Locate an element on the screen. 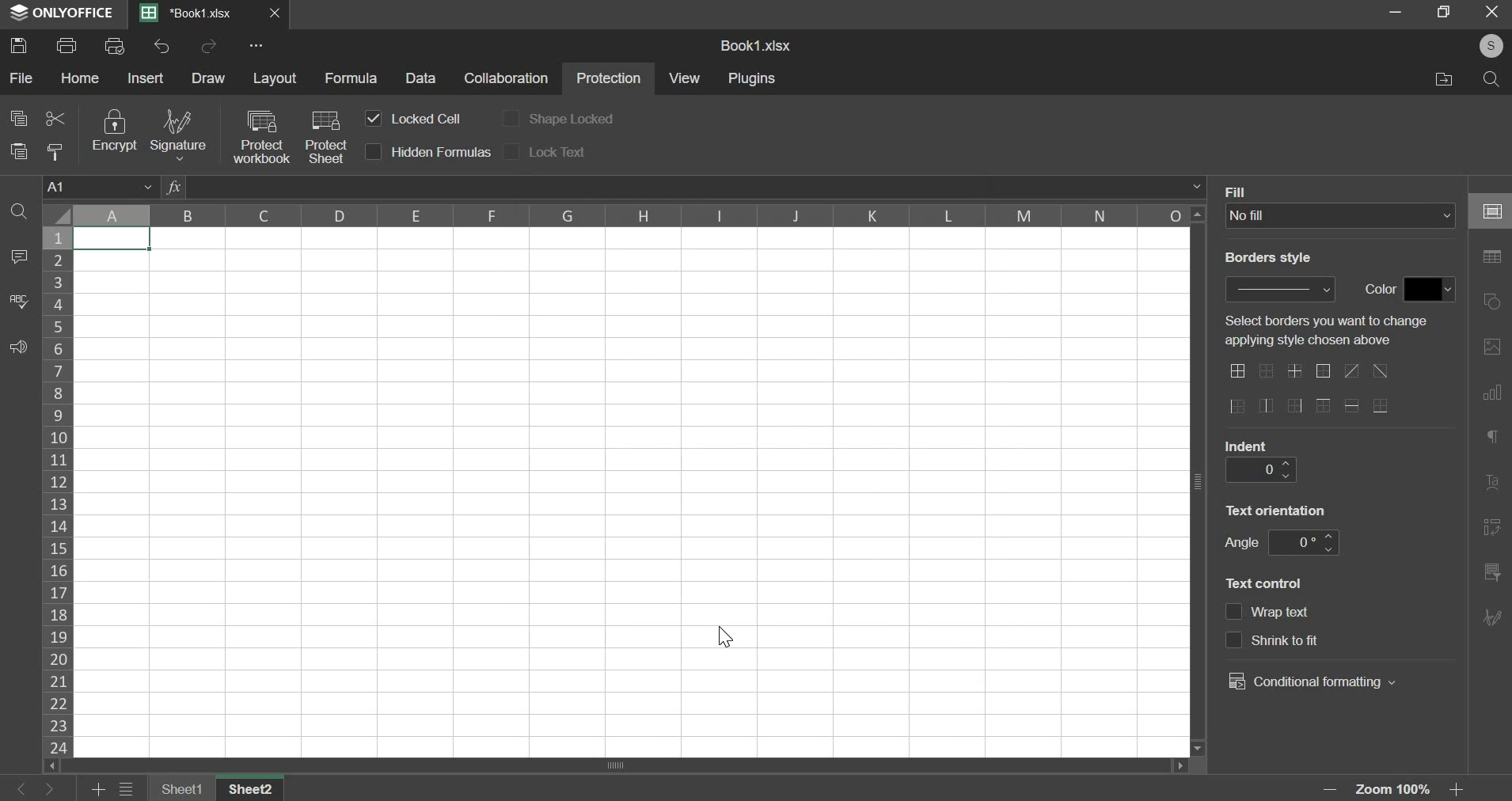 Image resolution: width=1512 pixels, height=801 pixels. right side bar is located at coordinates (1492, 484).